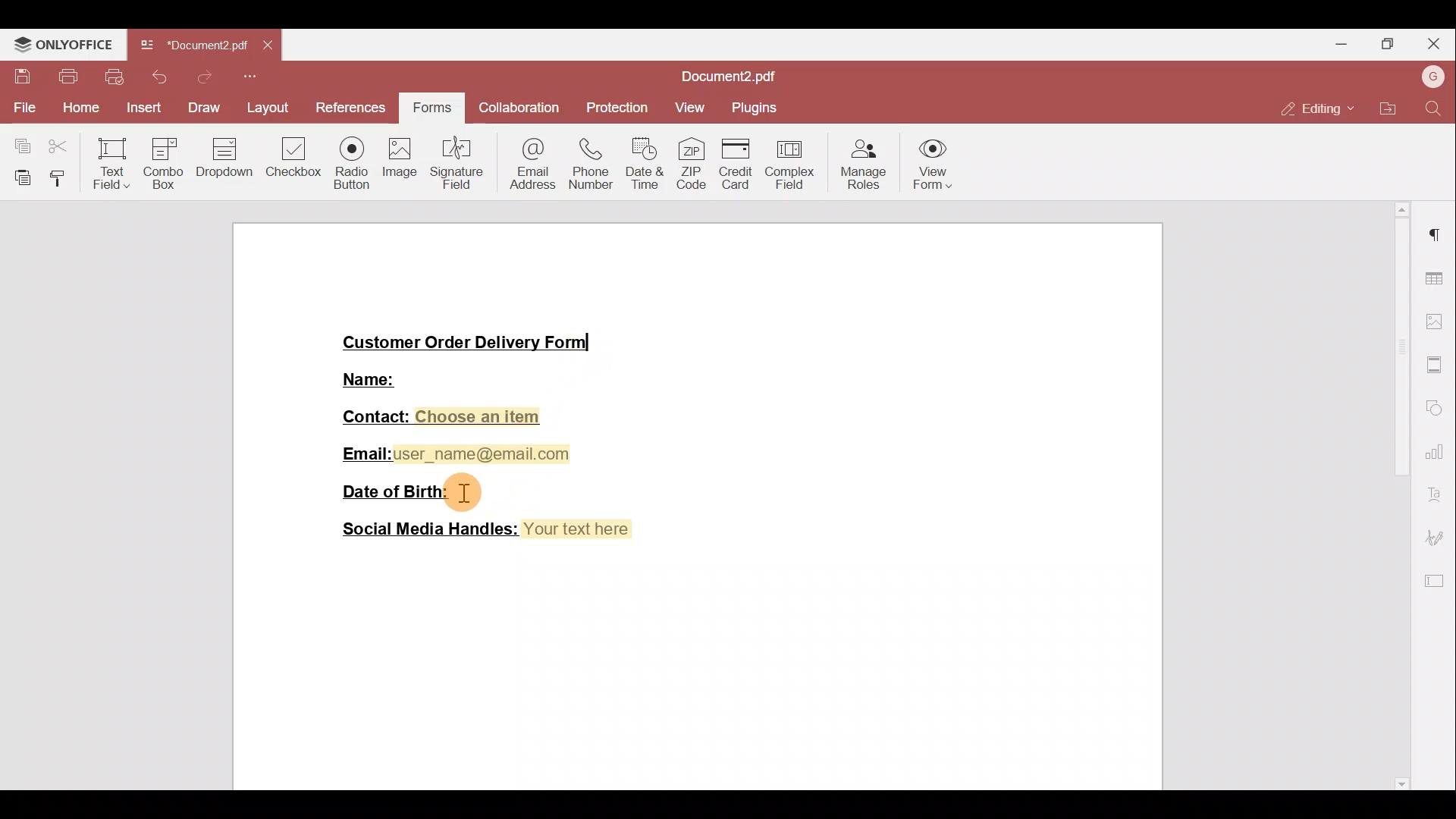 This screenshot has height=819, width=1456. Describe the element at coordinates (19, 143) in the screenshot. I see `Copy` at that location.